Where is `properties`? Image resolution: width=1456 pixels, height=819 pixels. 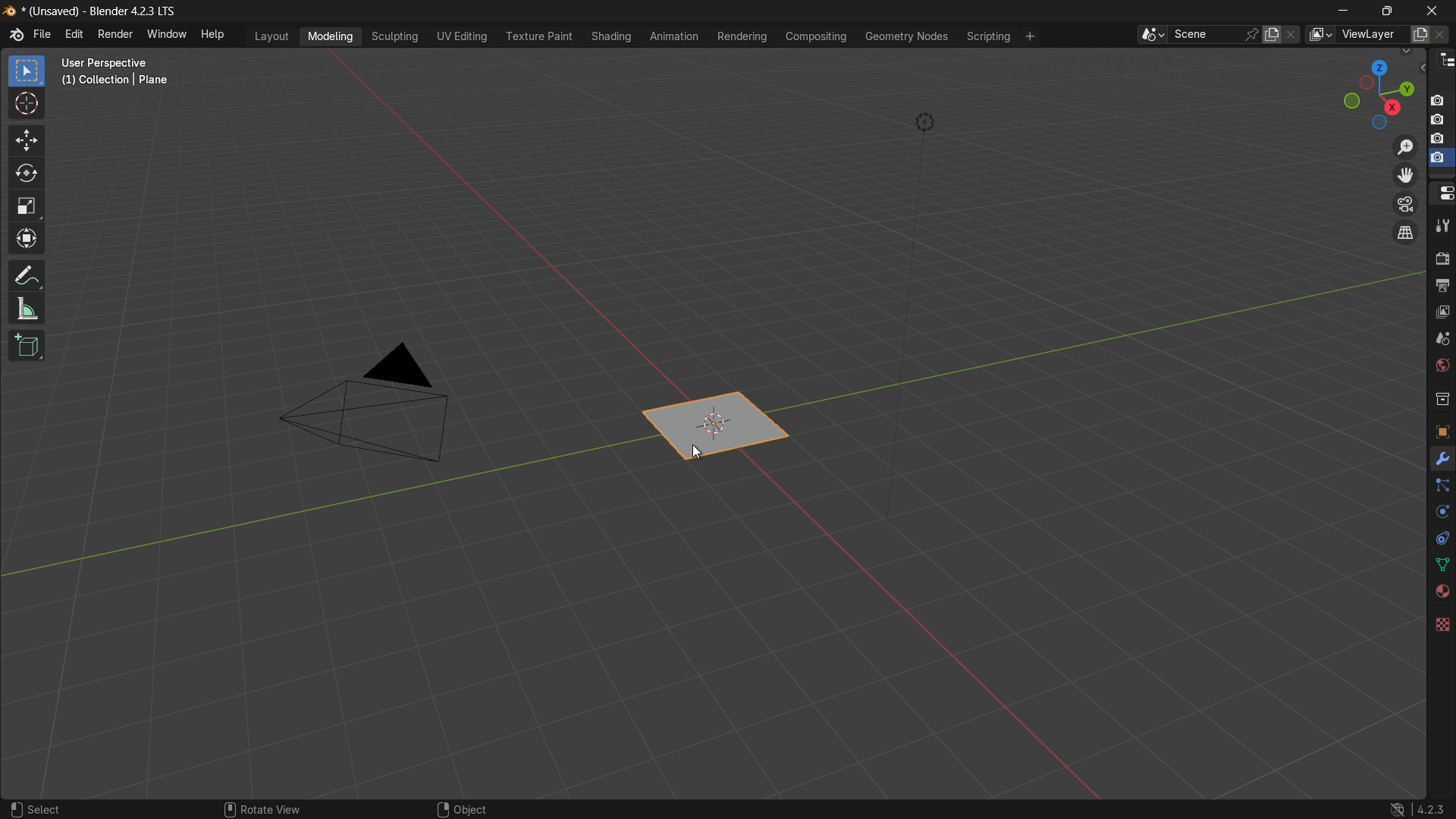
properties is located at coordinates (1443, 191).